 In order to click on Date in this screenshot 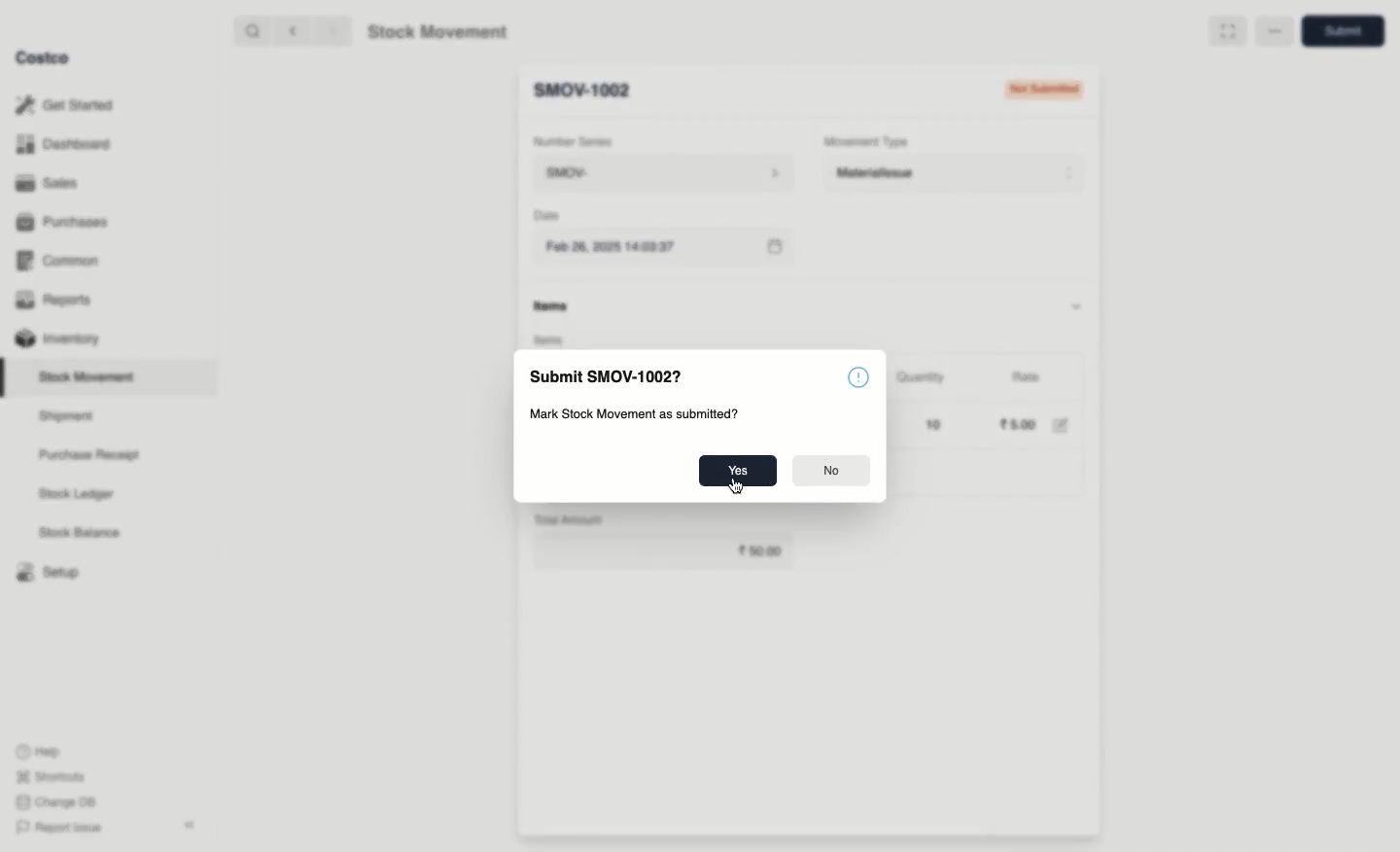, I will do `click(545, 215)`.